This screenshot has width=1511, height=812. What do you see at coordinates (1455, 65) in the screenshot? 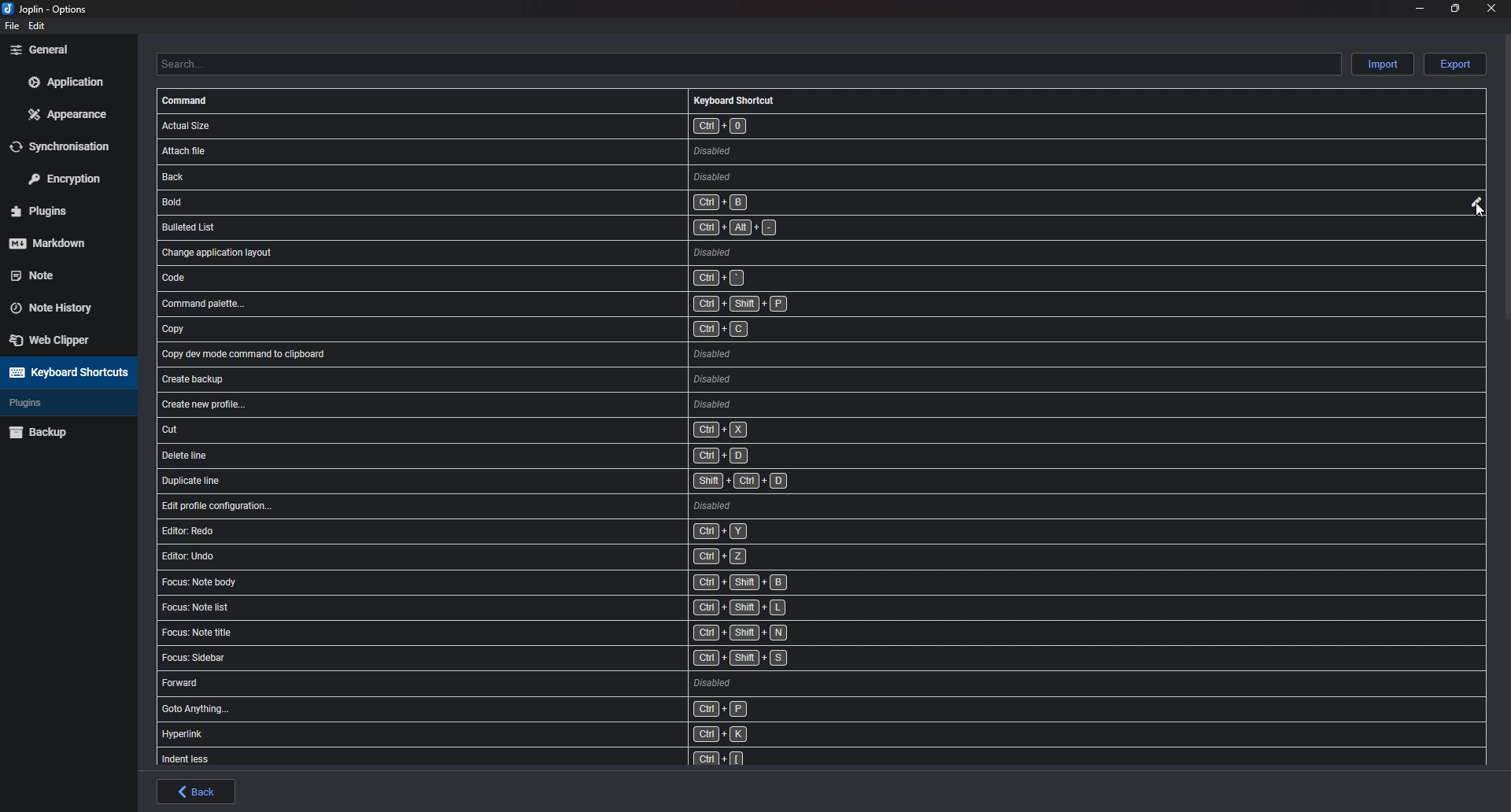
I see `Export` at bounding box center [1455, 65].